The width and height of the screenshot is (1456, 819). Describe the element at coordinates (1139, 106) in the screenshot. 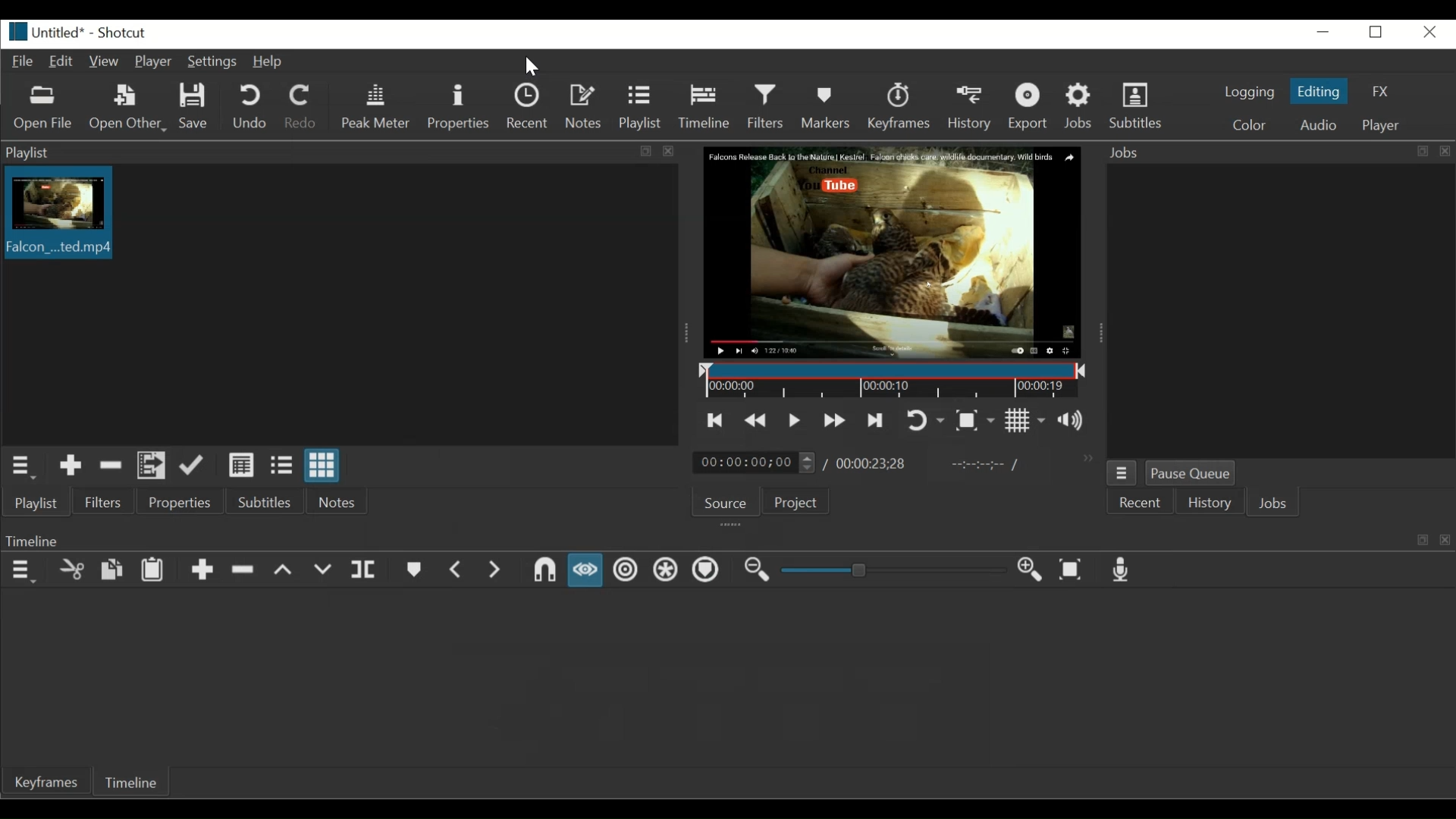

I see `Subtitles` at that location.